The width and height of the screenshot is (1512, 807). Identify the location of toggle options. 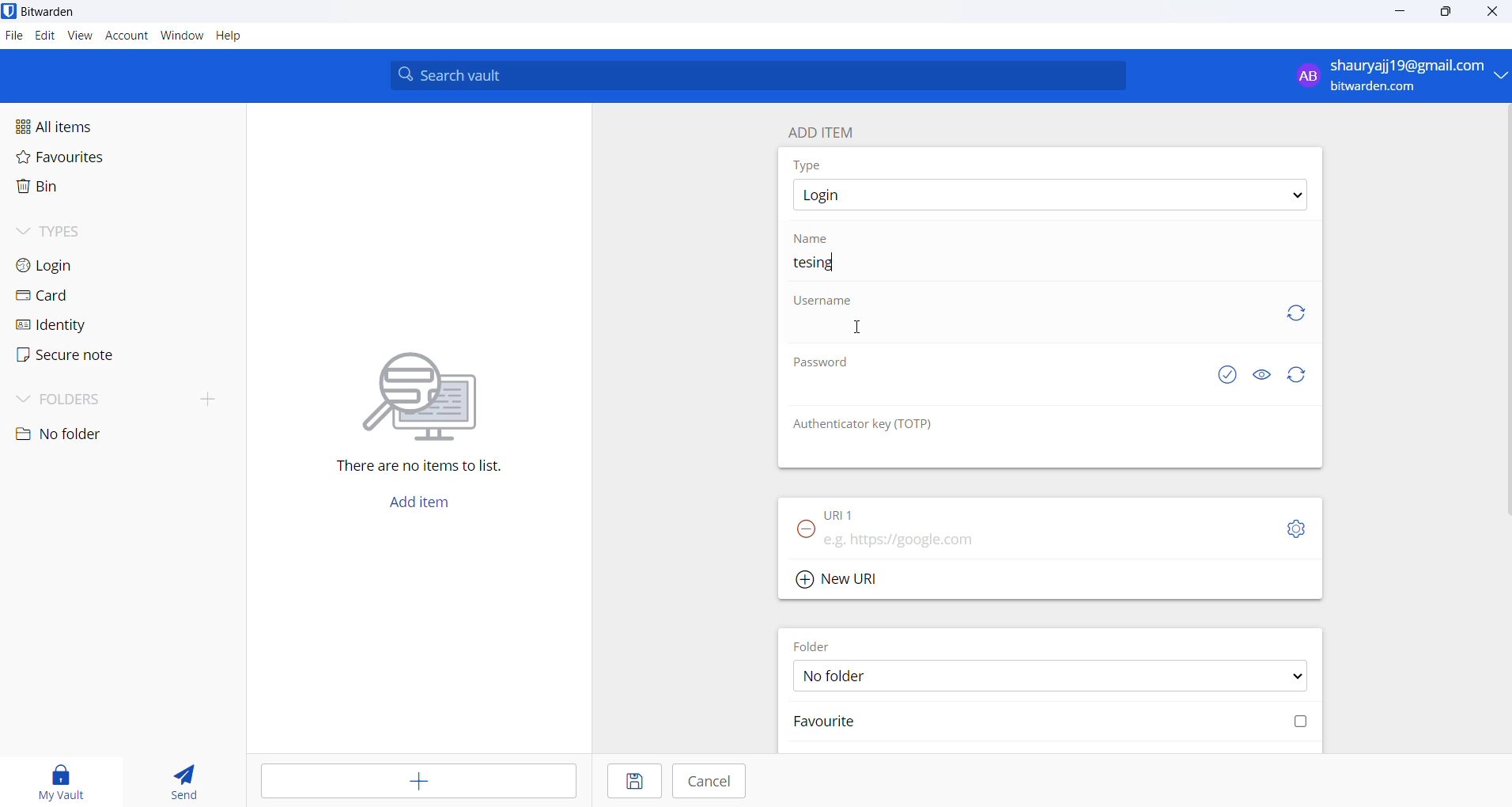
(1296, 529).